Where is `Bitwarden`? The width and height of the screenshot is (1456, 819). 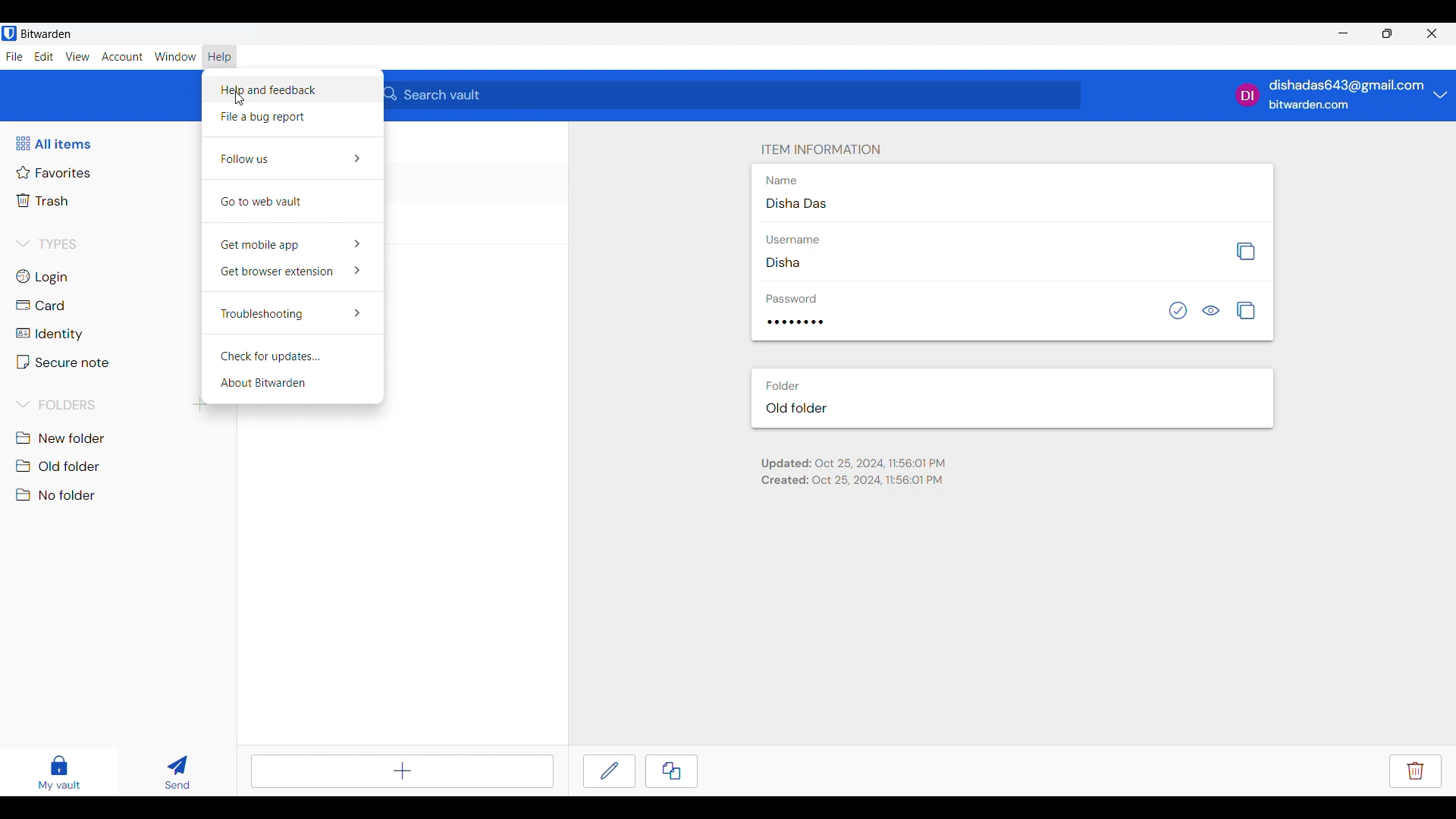
Bitwarden is located at coordinates (46, 33).